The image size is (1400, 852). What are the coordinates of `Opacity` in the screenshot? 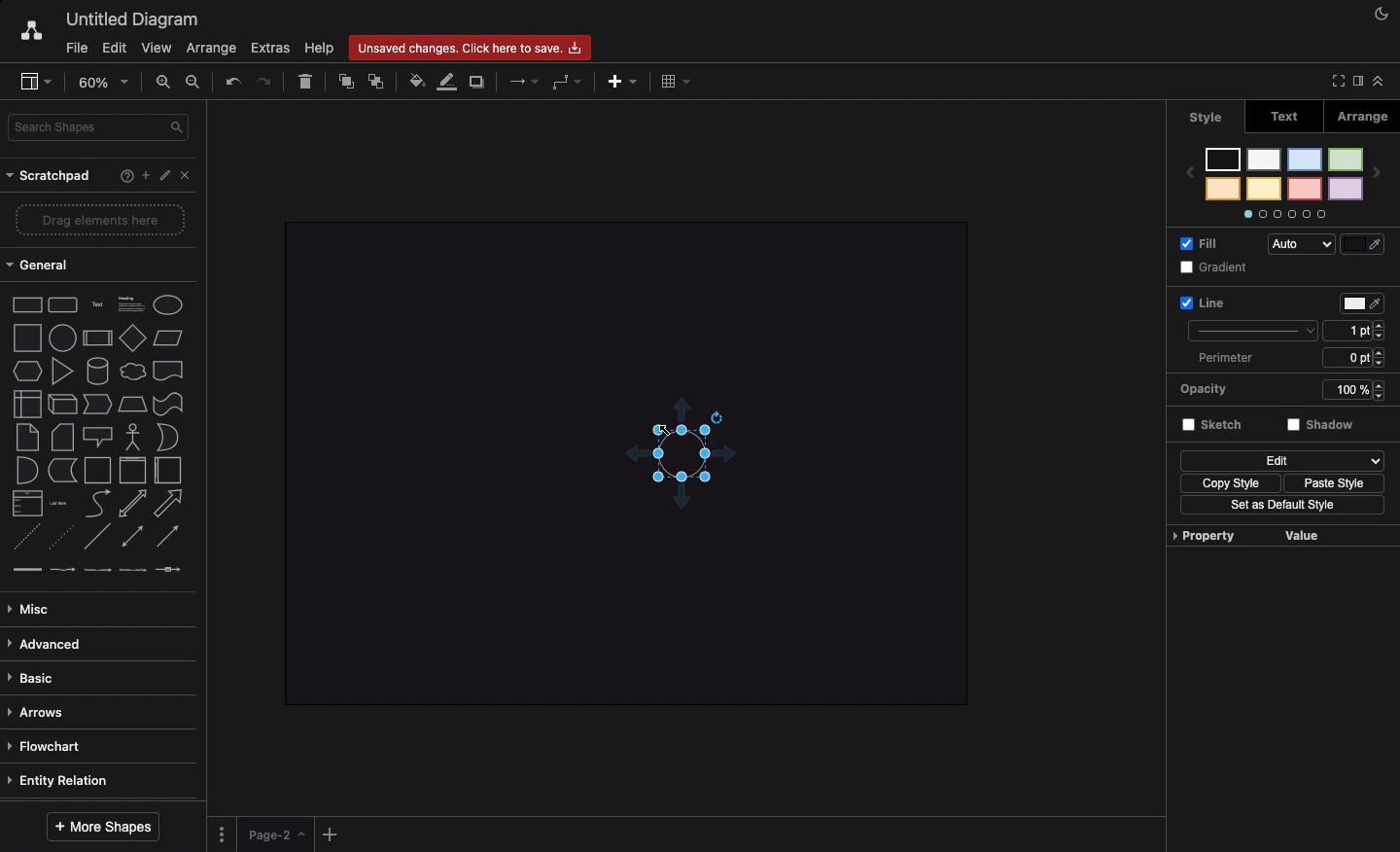 It's located at (1286, 389).